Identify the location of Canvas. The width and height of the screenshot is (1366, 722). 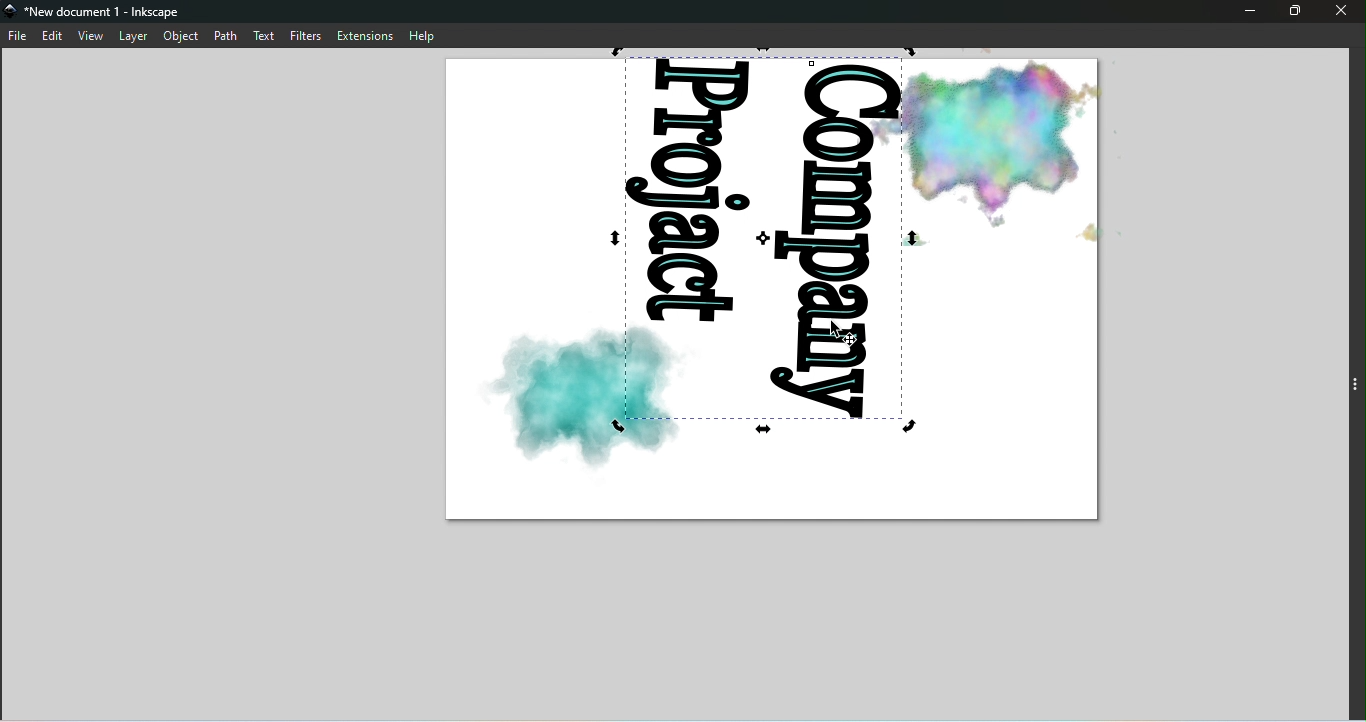
(775, 298).